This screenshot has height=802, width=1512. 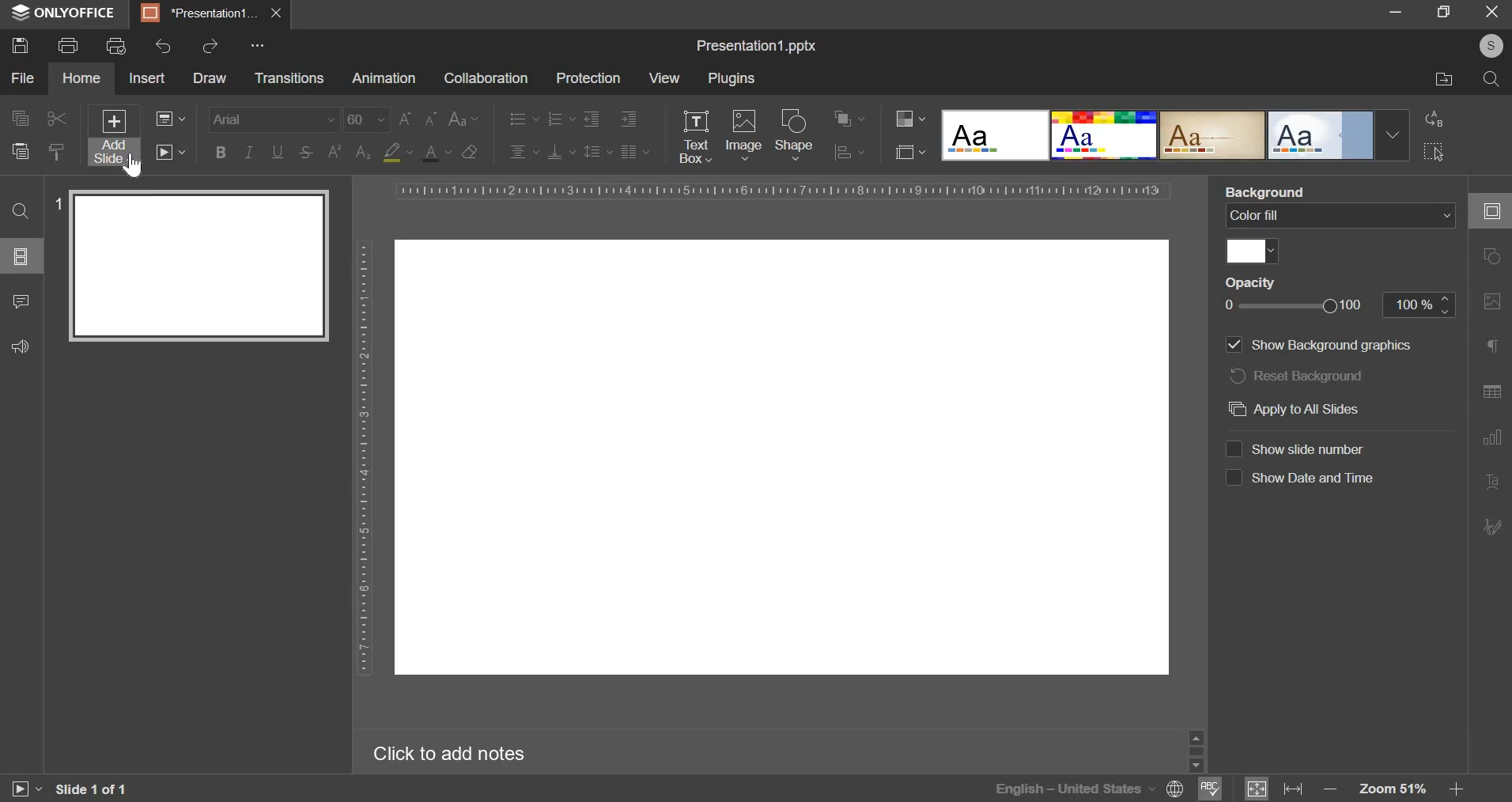 I want to click on decrease indent, so click(x=591, y=119).